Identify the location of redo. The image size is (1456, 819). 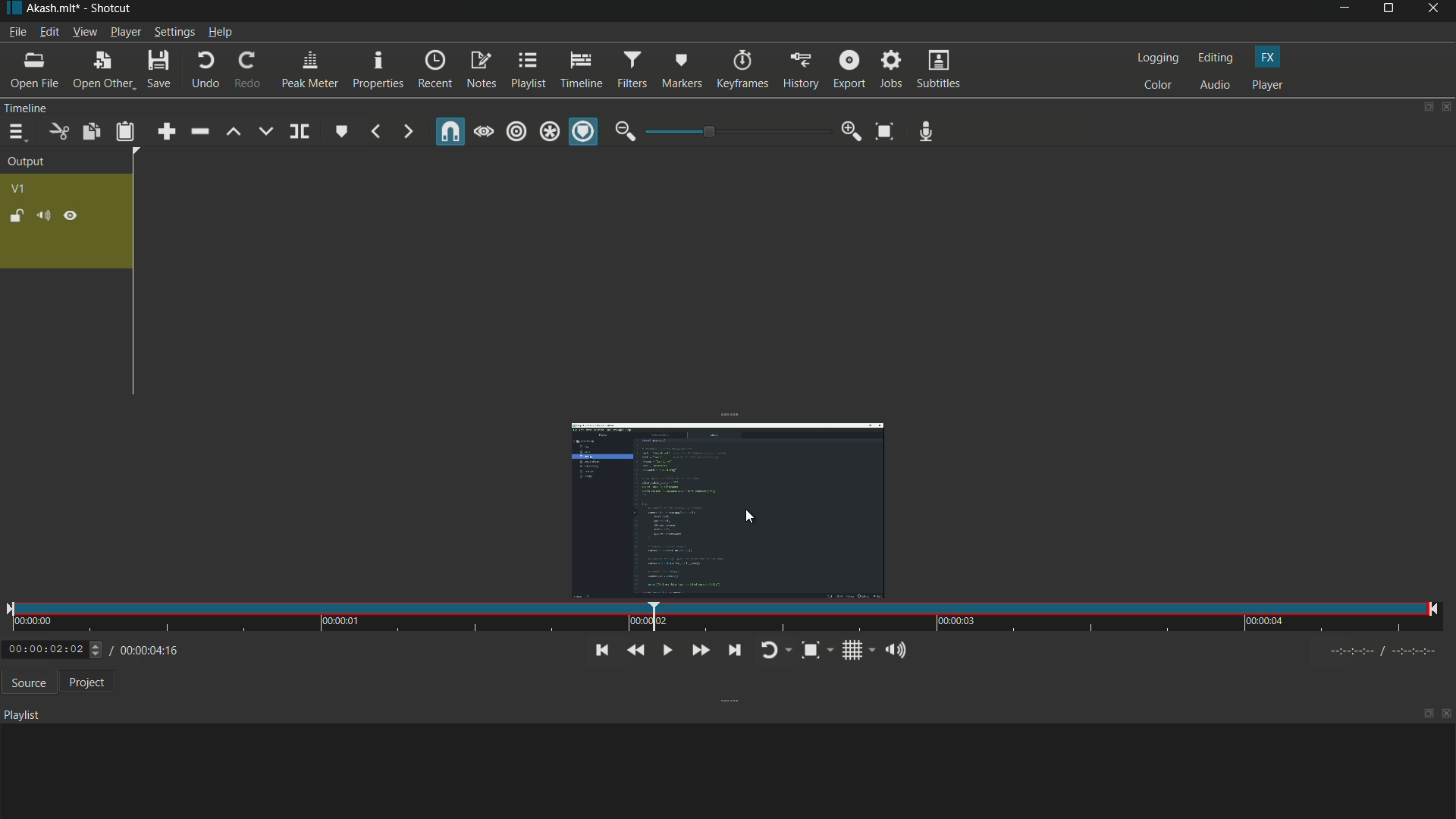
(244, 70).